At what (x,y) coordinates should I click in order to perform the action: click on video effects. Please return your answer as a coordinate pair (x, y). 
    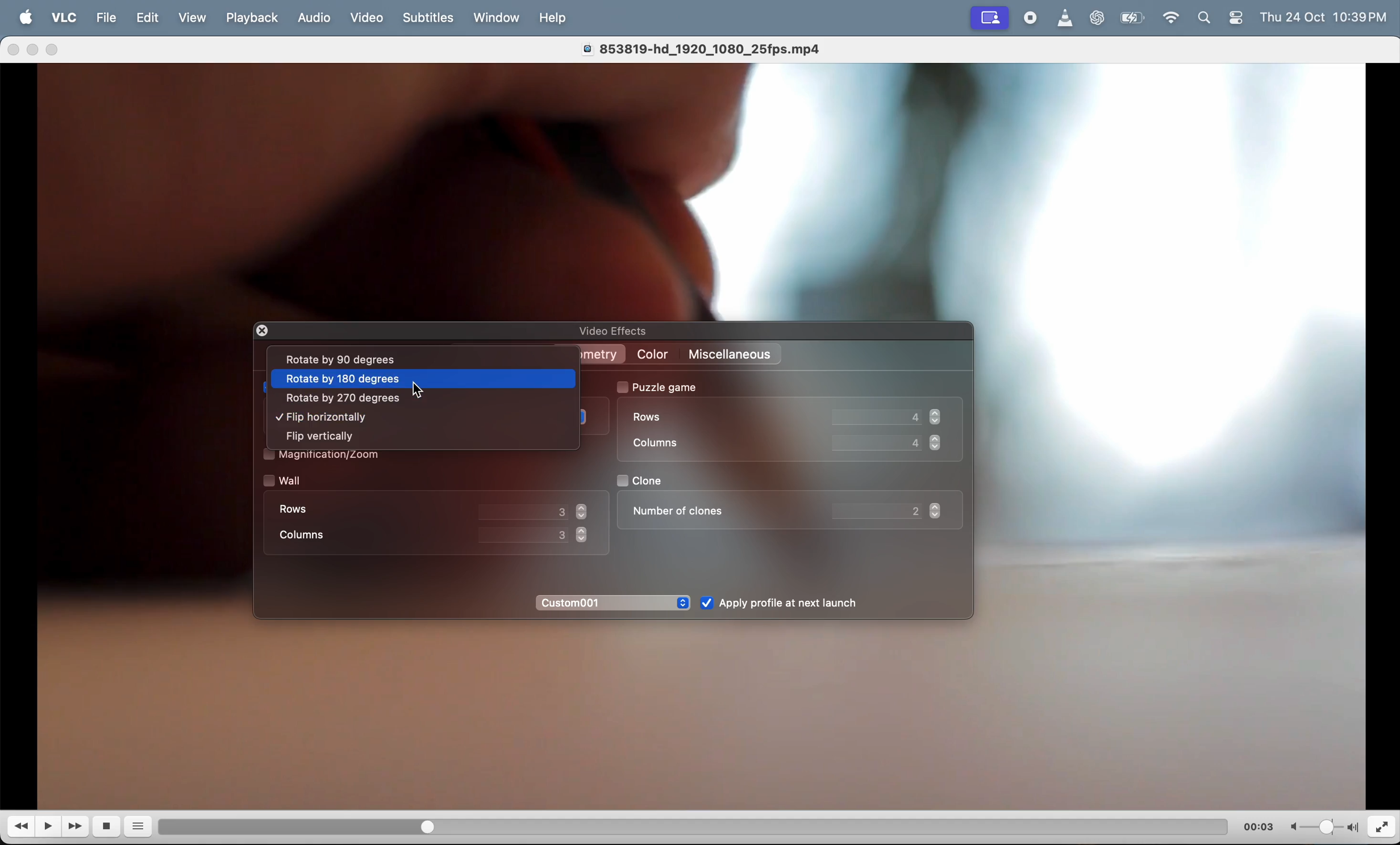
    Looking at the image, I should click on (617, 331).